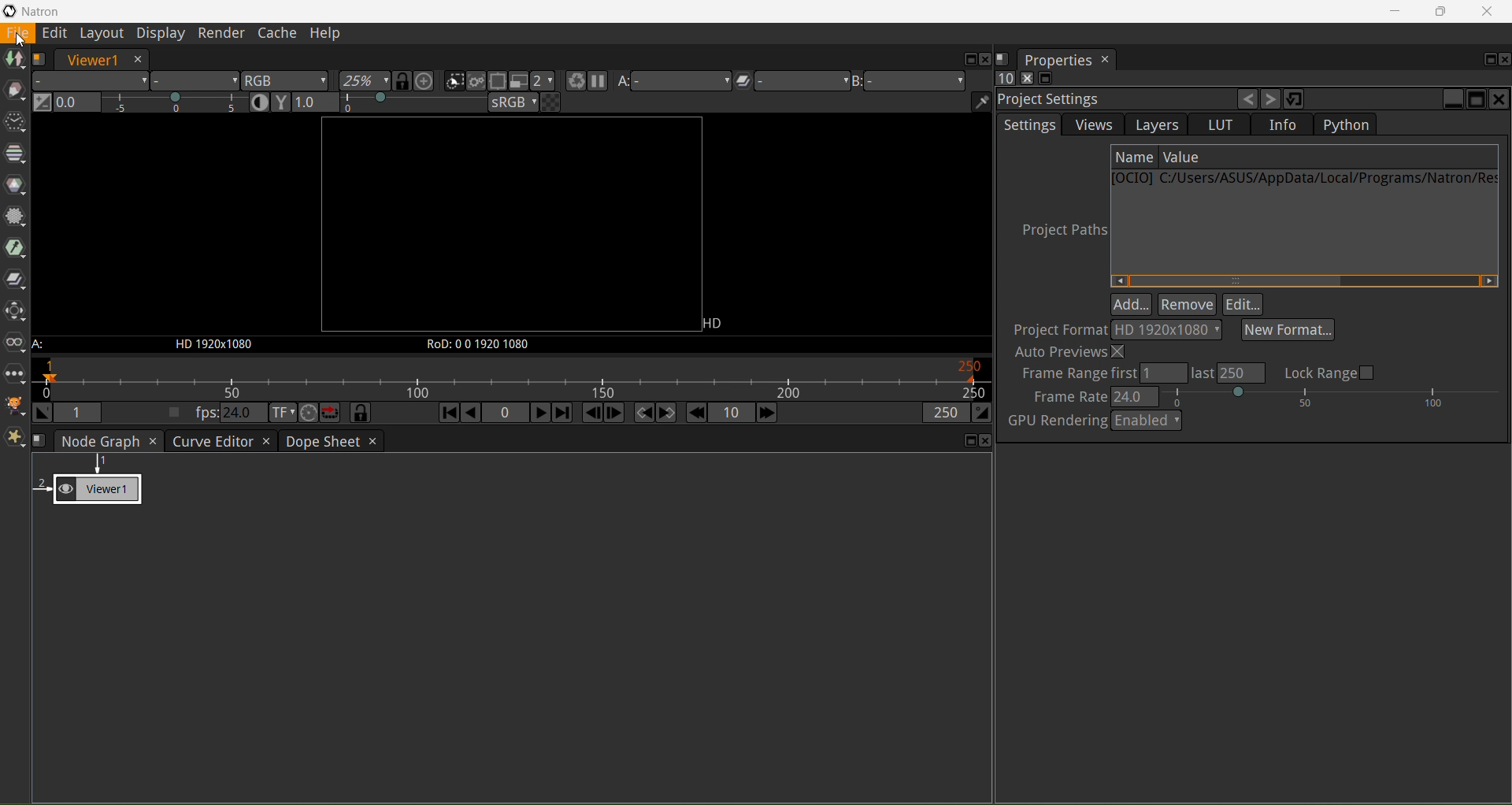 This screenshot has width=1512, height=805. Describe the element at coordinates (1182, 158) in the screenshot. I see `Value` at that location.